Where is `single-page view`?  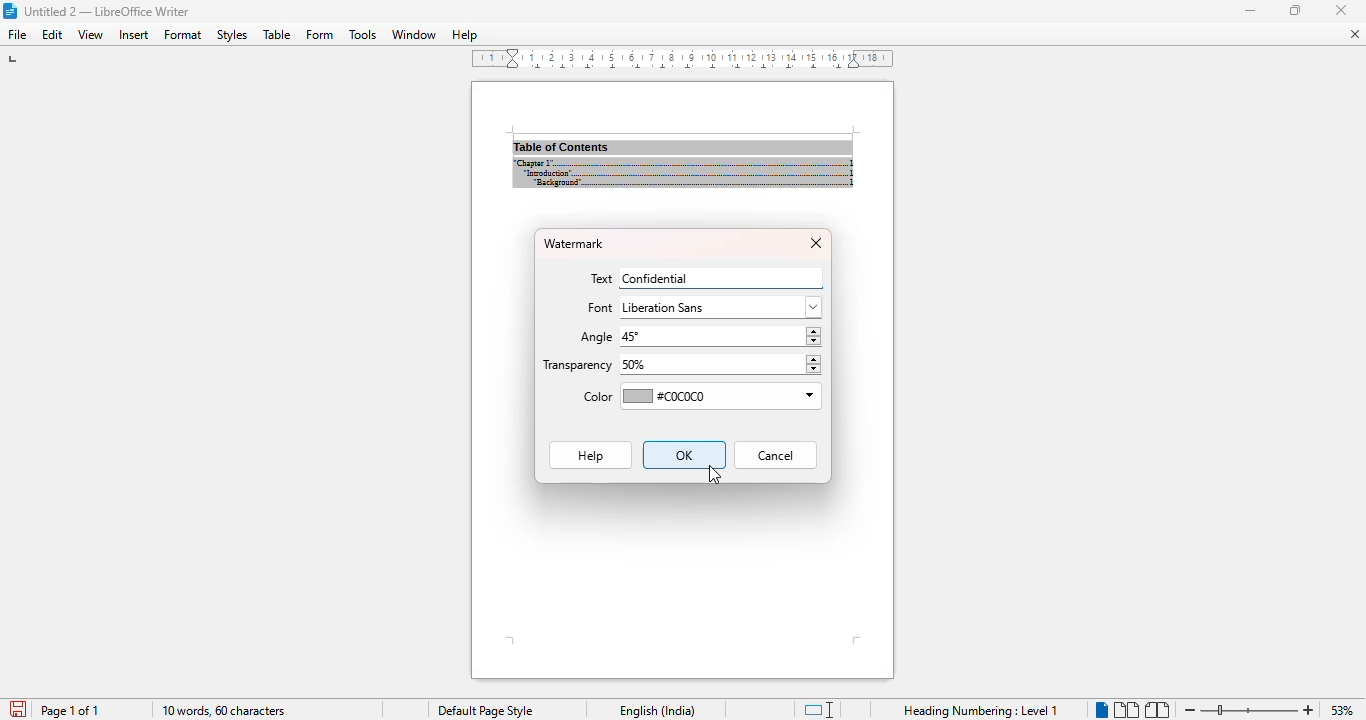 single-page view is located at coordinates (1101, 710).